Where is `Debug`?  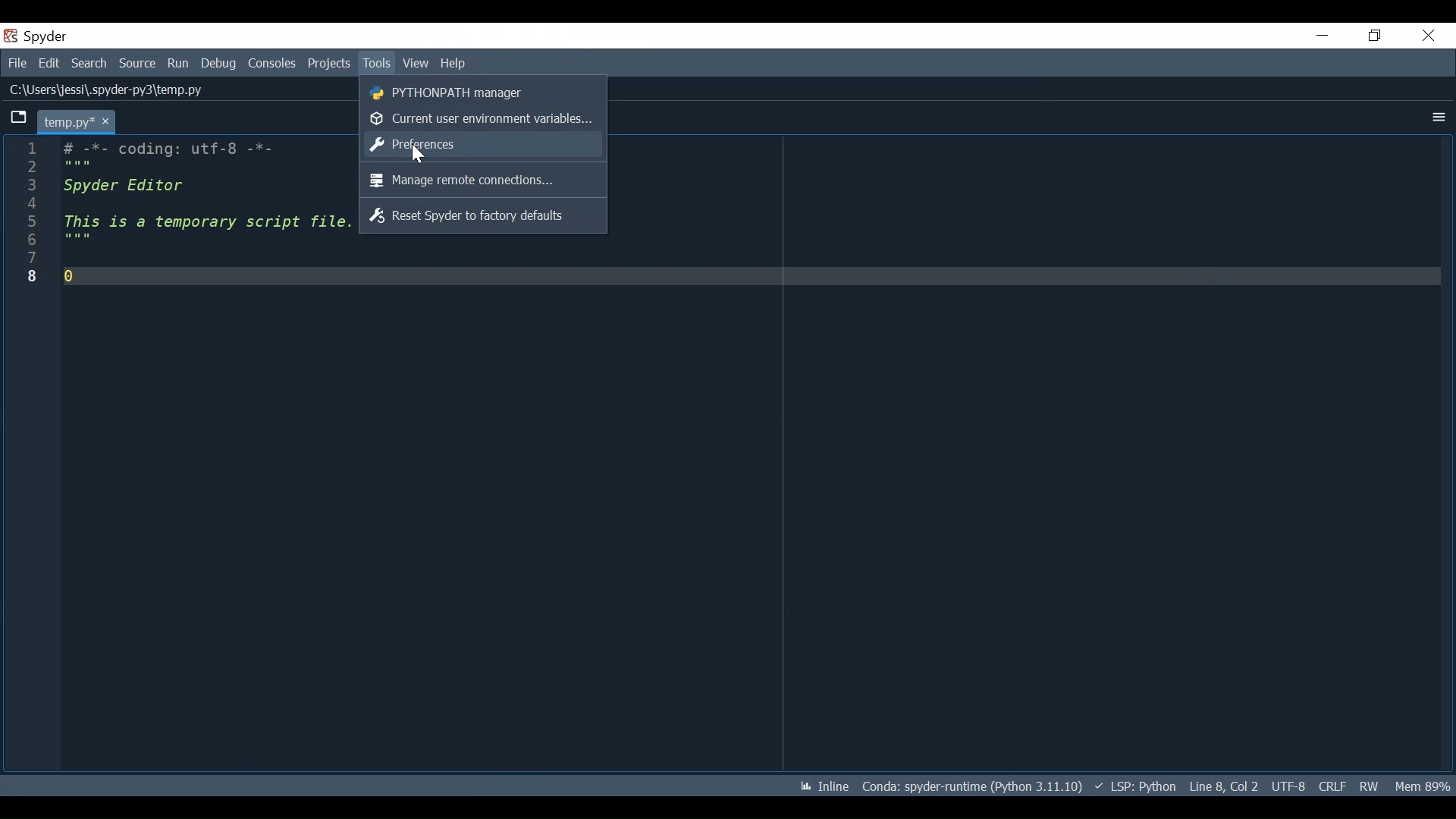 Debug is located at coordinates (218, 63).